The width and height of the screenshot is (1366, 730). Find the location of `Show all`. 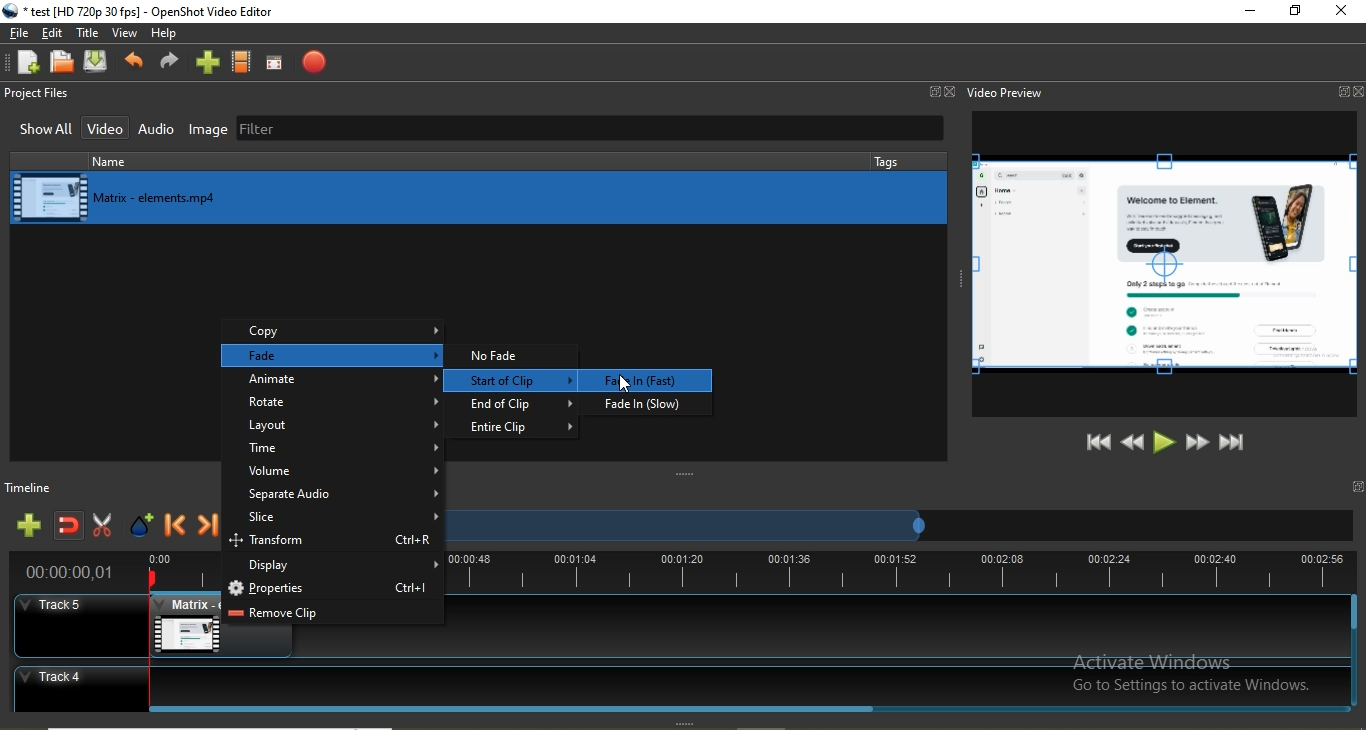

Show all is located at coordinates (41, 132).